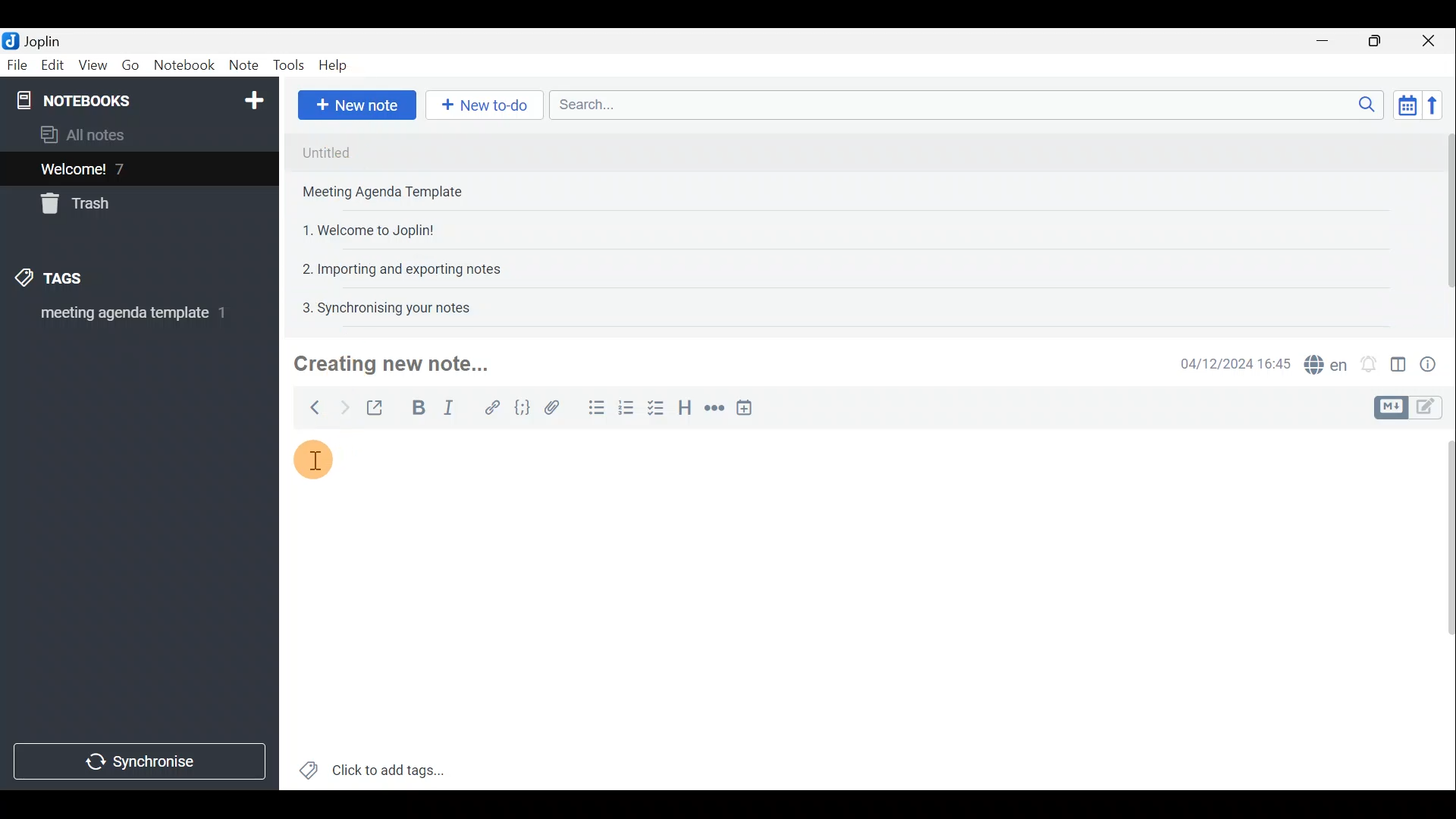 The height and width of the screenshot is (819, 1456). Describe the element at coordinates (686, 406) in the screenshot. I see `Heading` at that location.